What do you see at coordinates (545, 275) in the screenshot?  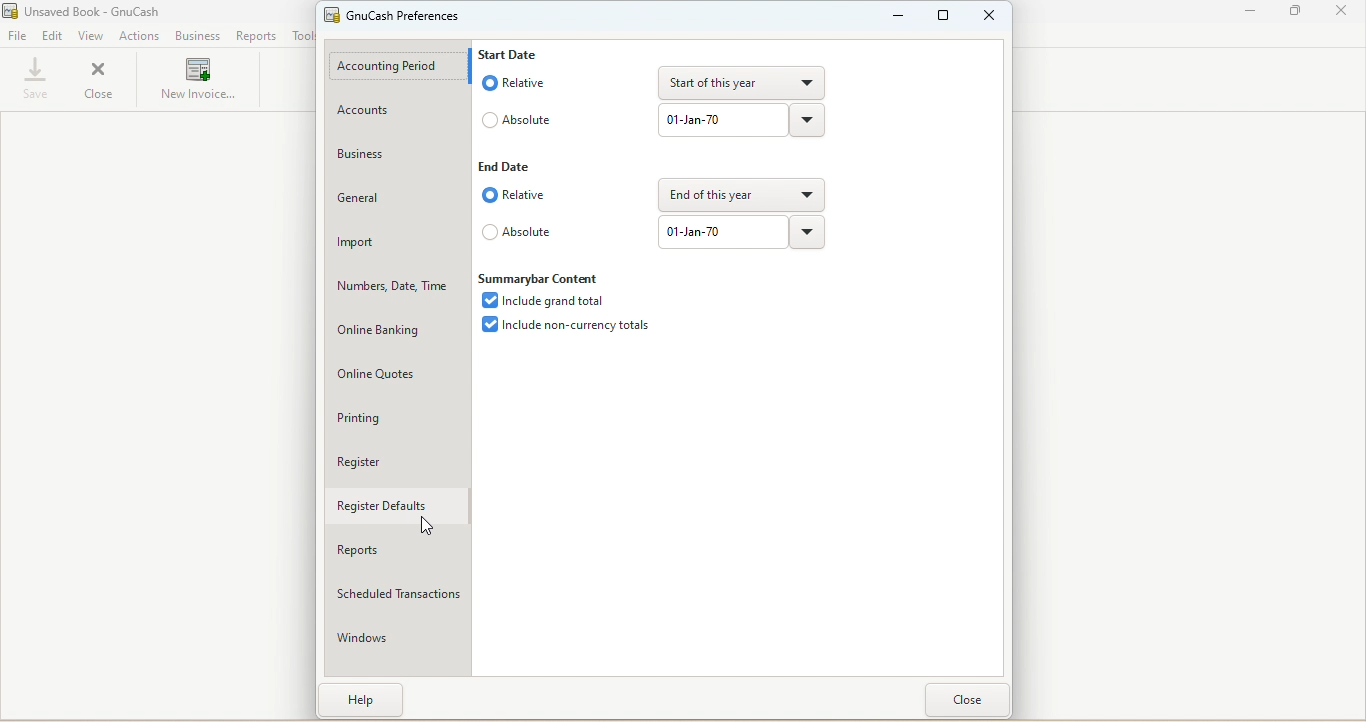 I see `Summarybar content` at bounding box center [545, 275].